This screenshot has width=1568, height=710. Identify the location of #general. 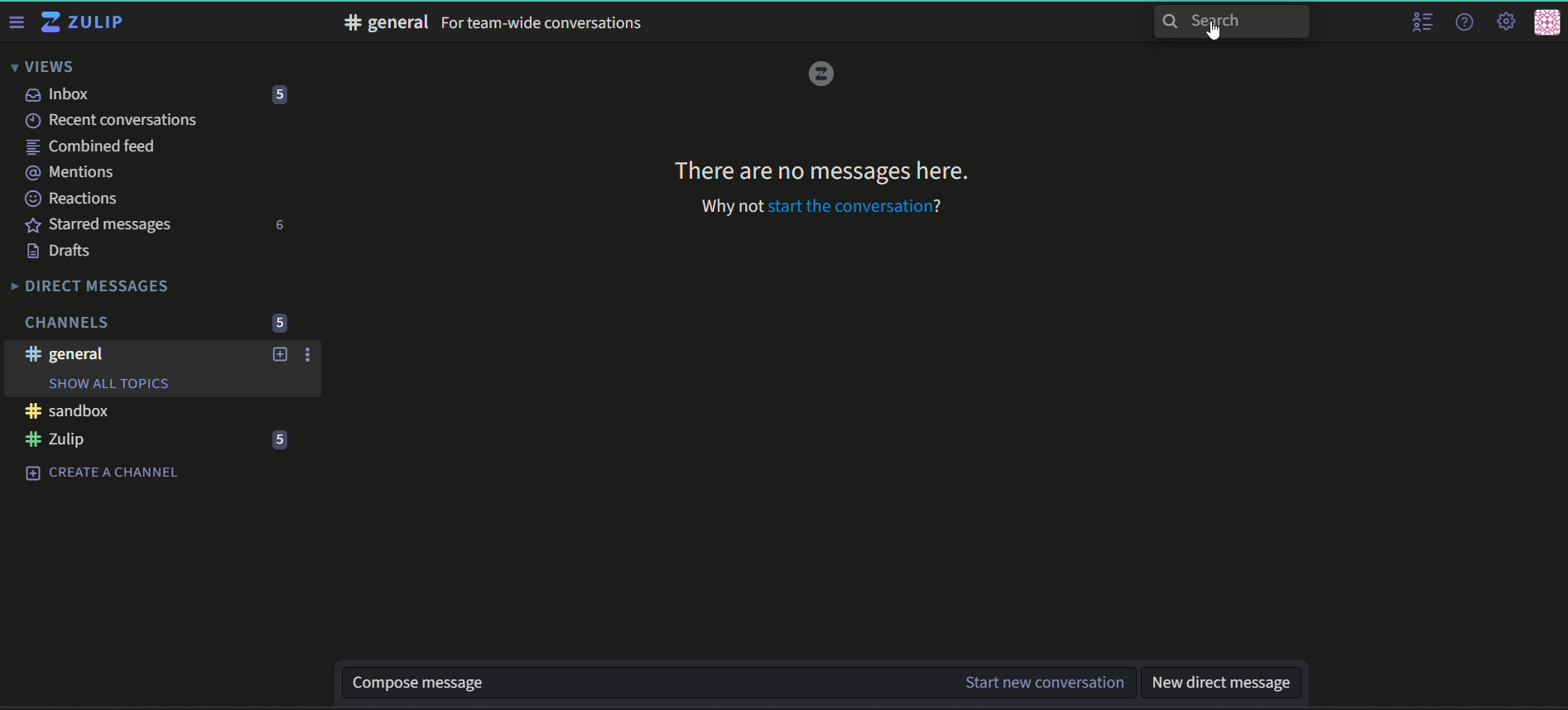
(64, 354).